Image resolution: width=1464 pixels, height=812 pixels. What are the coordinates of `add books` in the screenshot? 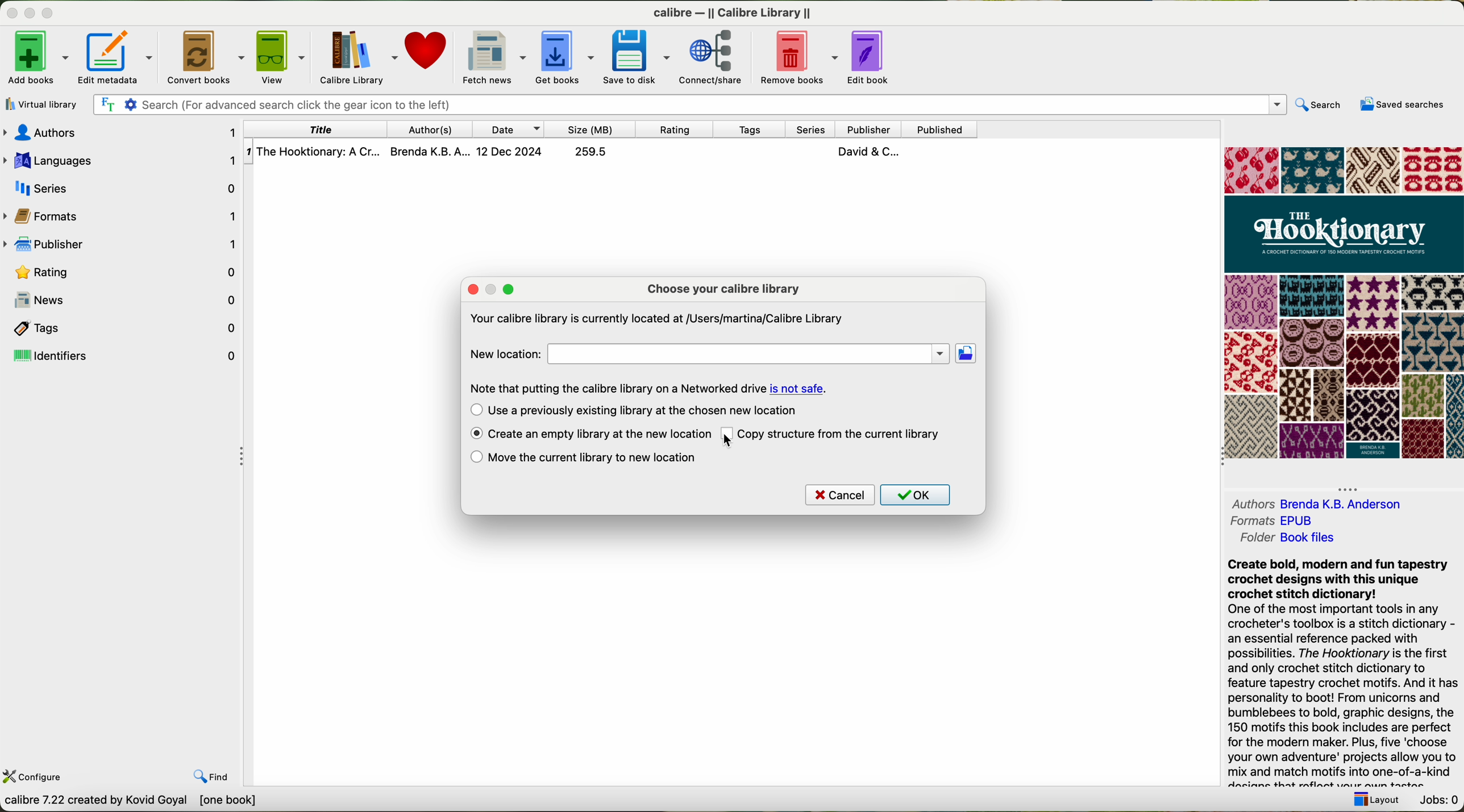 It's located at (36, 59).